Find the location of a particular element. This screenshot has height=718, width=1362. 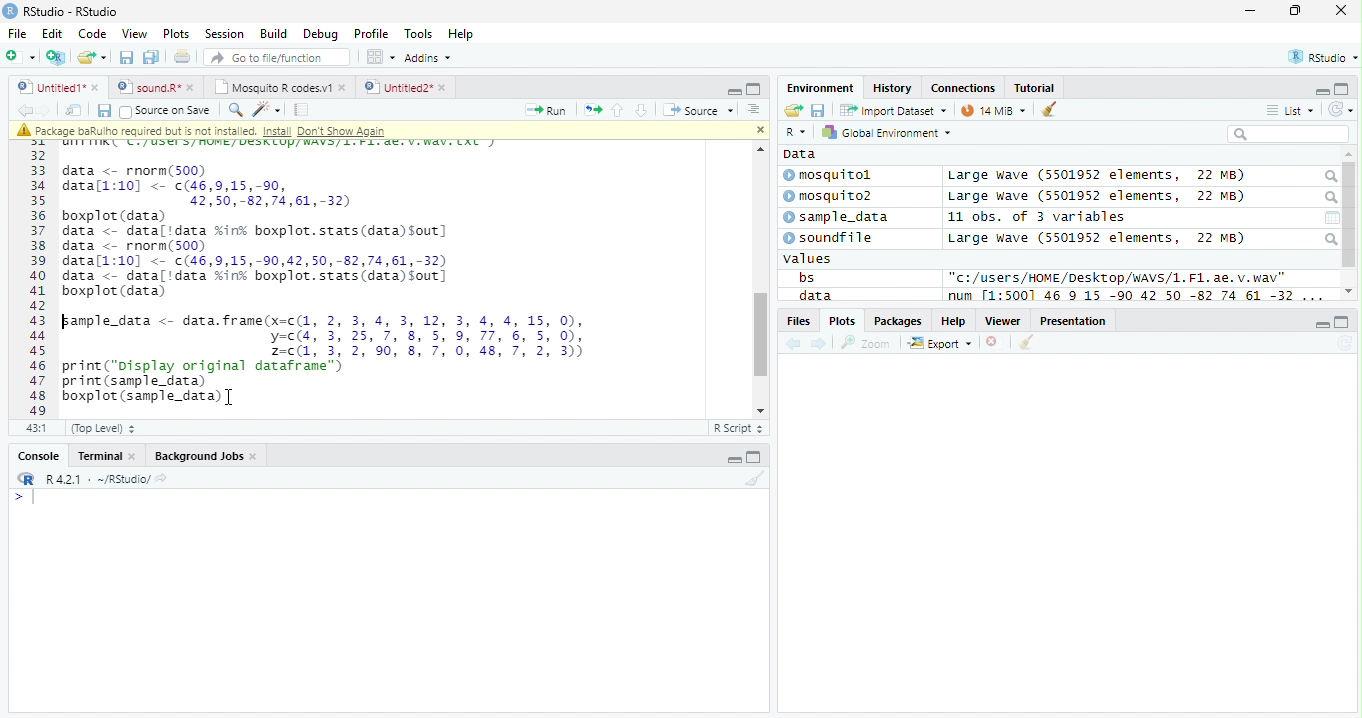

Re-run the previous code is located at coordinates (592, 110).